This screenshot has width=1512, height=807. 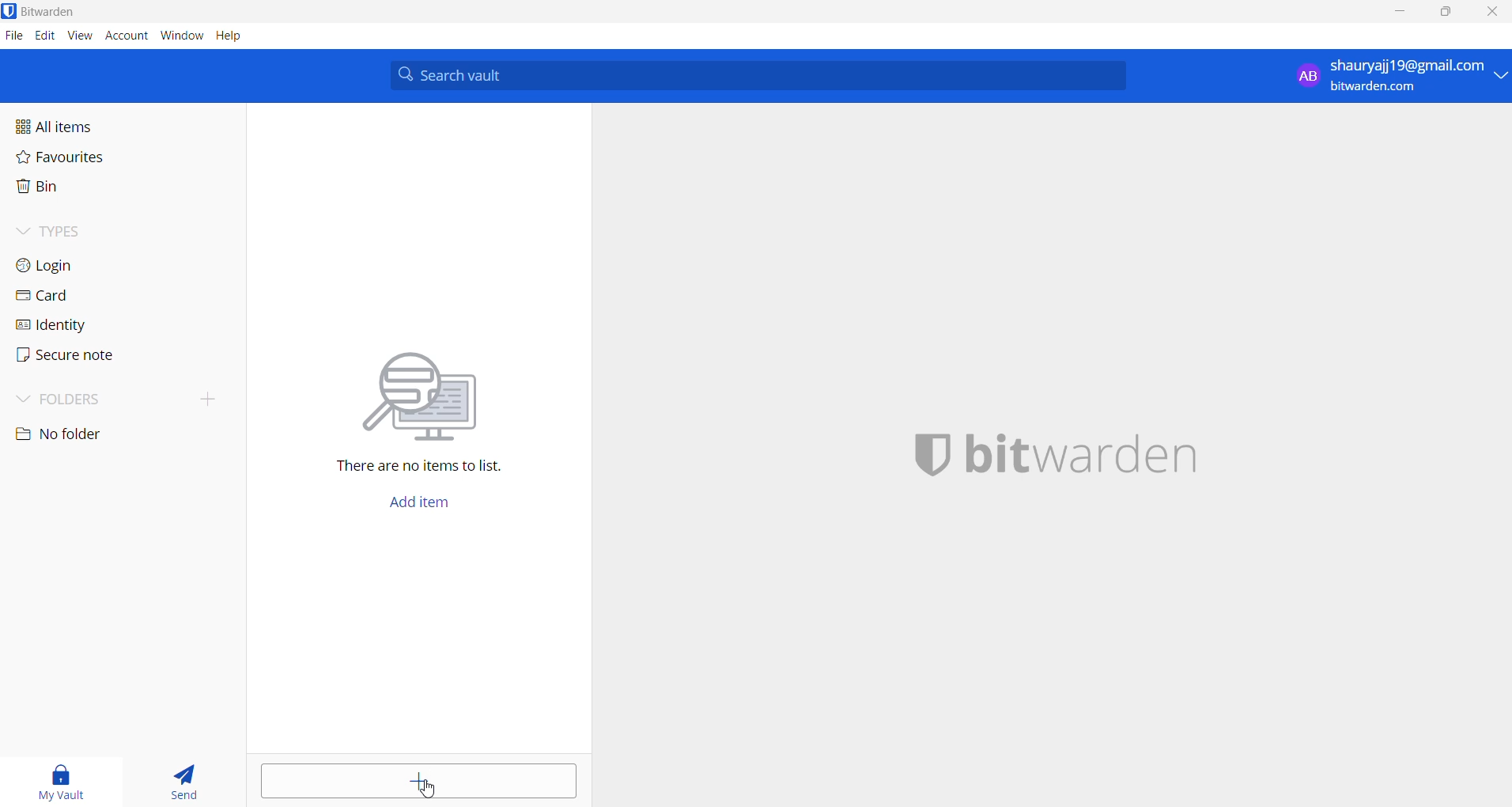 What do you see at coordinates (89, 325) in the screenshot?
I see `identity` at bounding box center [89, 325].